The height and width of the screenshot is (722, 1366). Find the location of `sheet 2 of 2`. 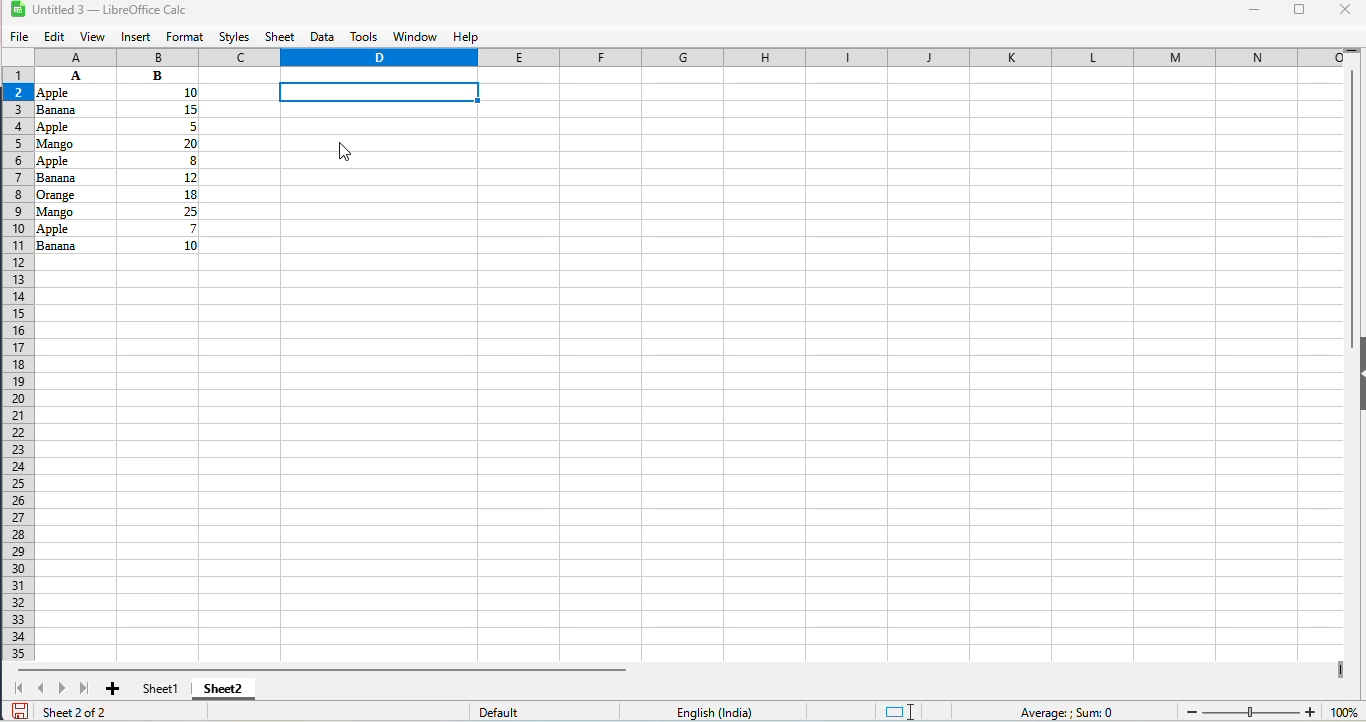

sheet 2 of 2 is located at coordinates (73, 712).